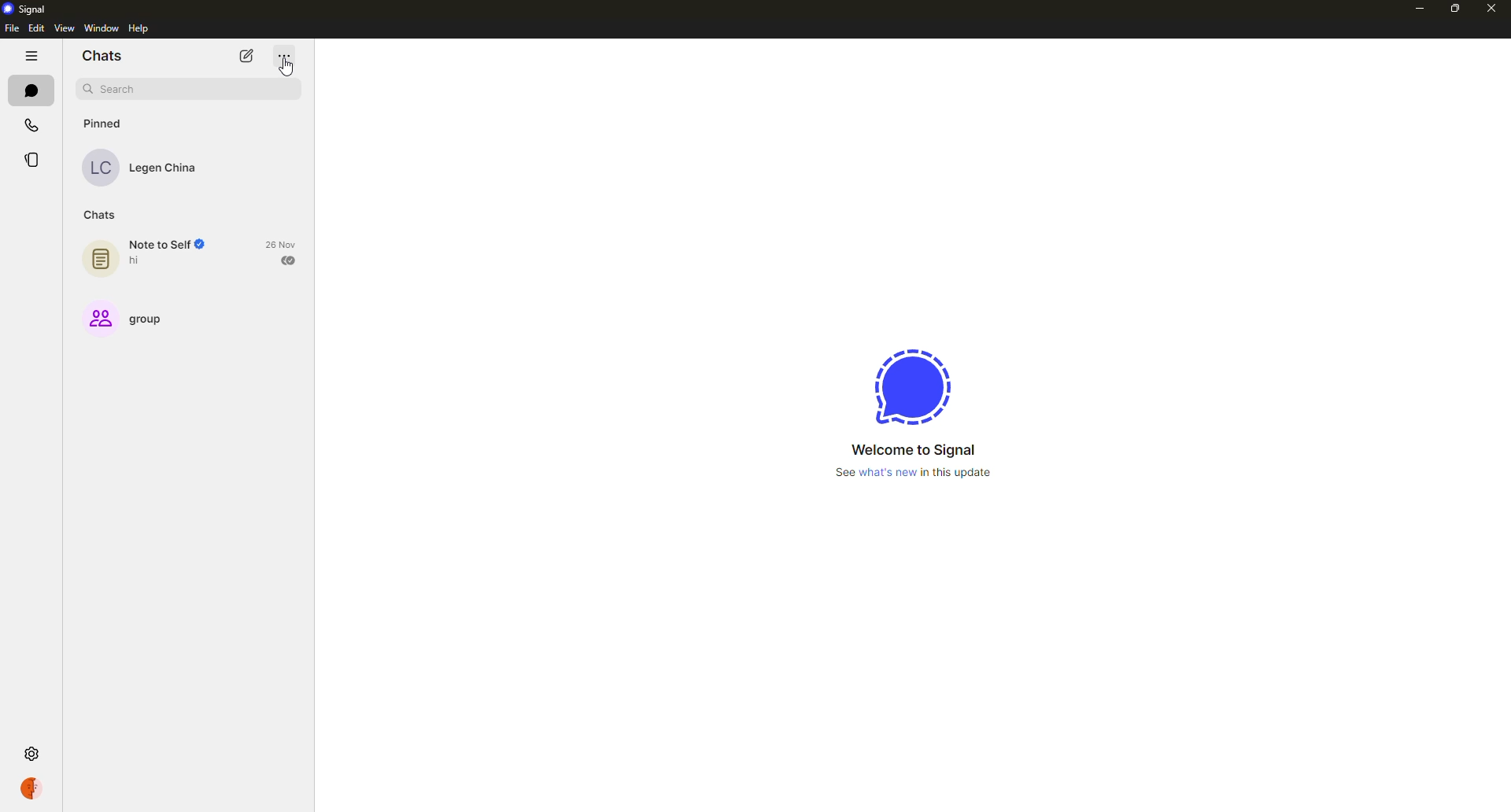 The width and height of the screenshot is (1511, 812). I want to click on help, so click(141, 28).